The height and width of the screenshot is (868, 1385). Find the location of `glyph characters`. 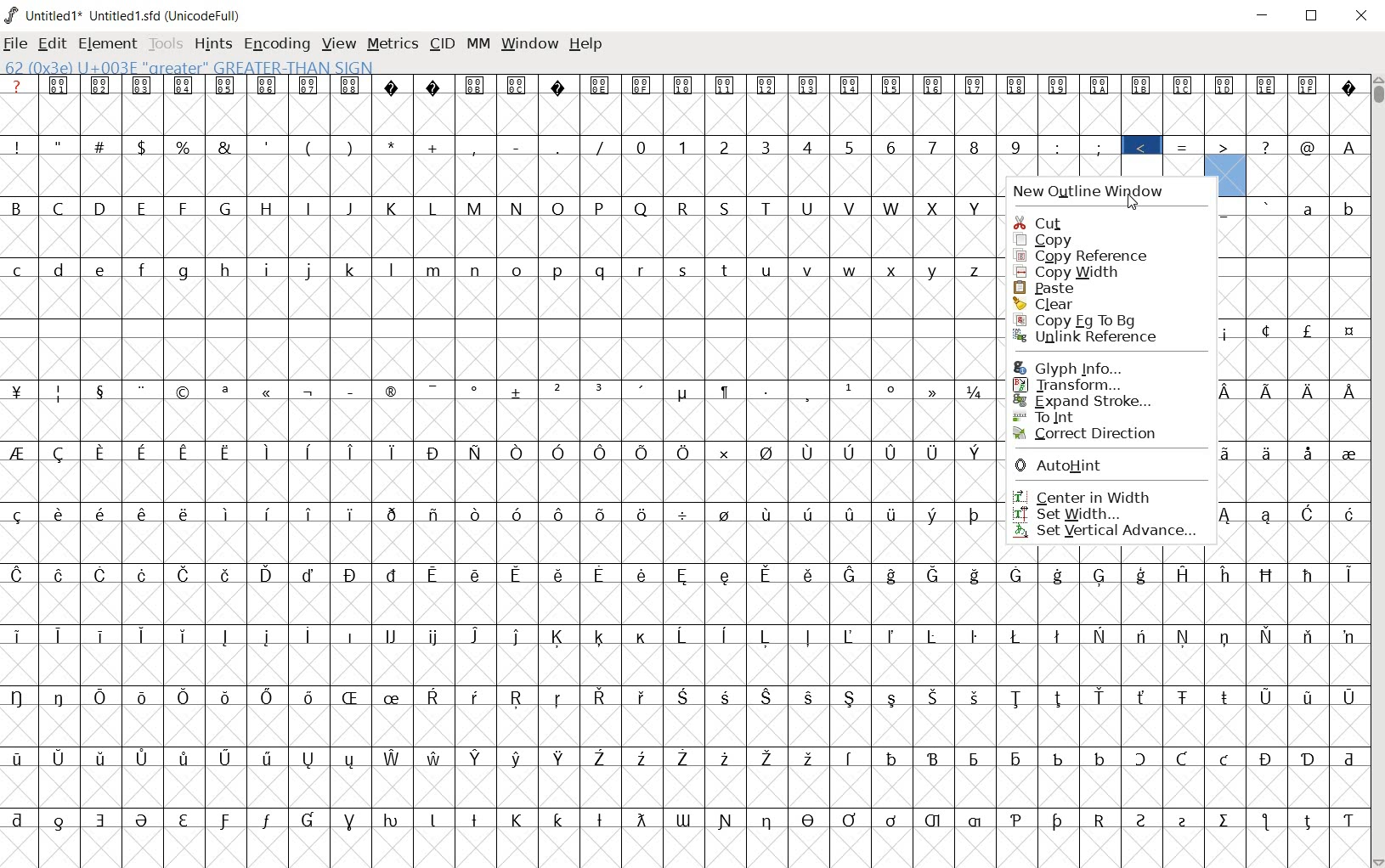

glyph characters is located at coordinates (1180, 708).